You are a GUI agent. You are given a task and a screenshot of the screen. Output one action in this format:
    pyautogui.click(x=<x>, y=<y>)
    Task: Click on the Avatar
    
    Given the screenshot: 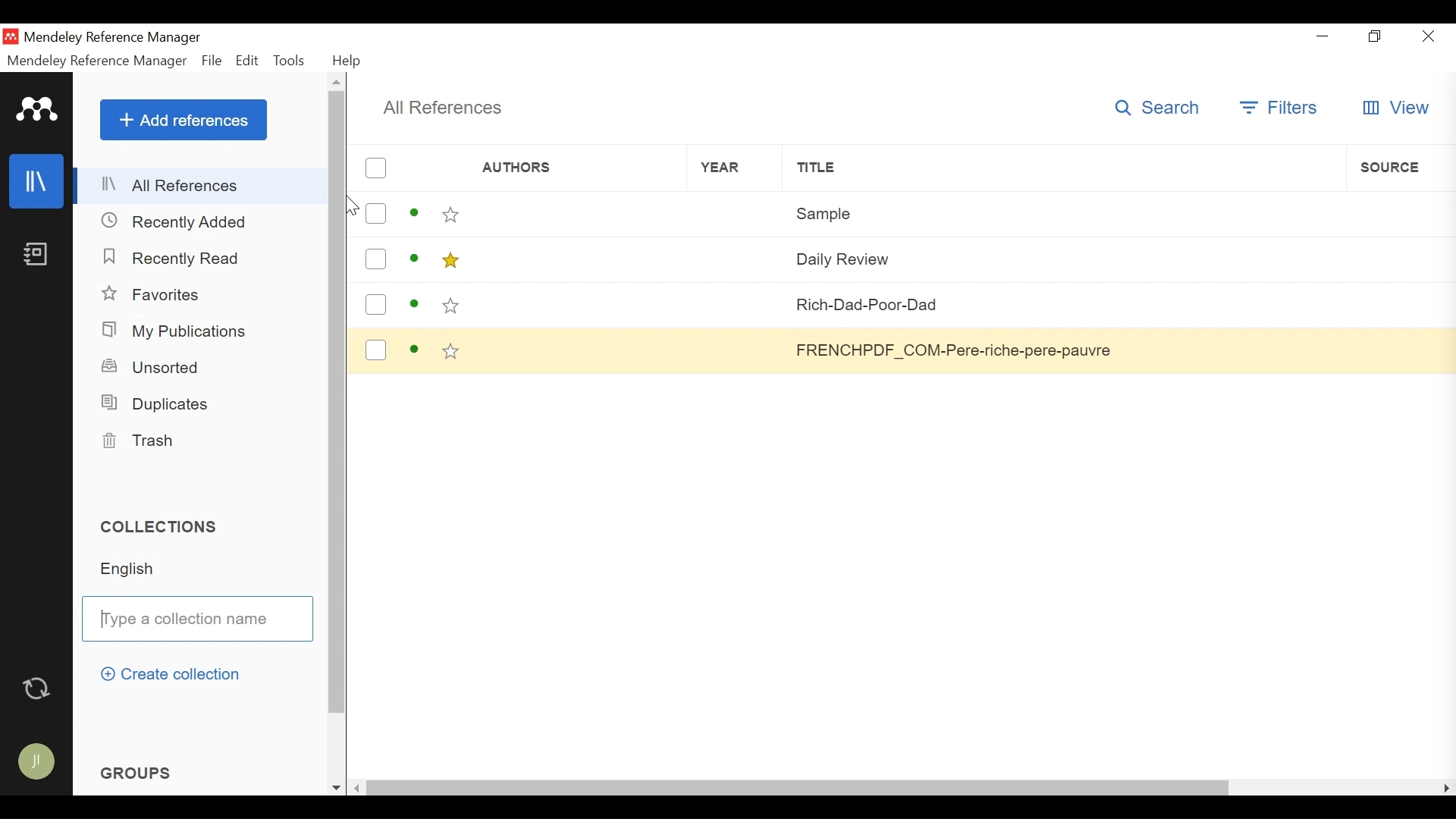 What is the action you would take?
    pyautogui.click(x=35, y=758)
    